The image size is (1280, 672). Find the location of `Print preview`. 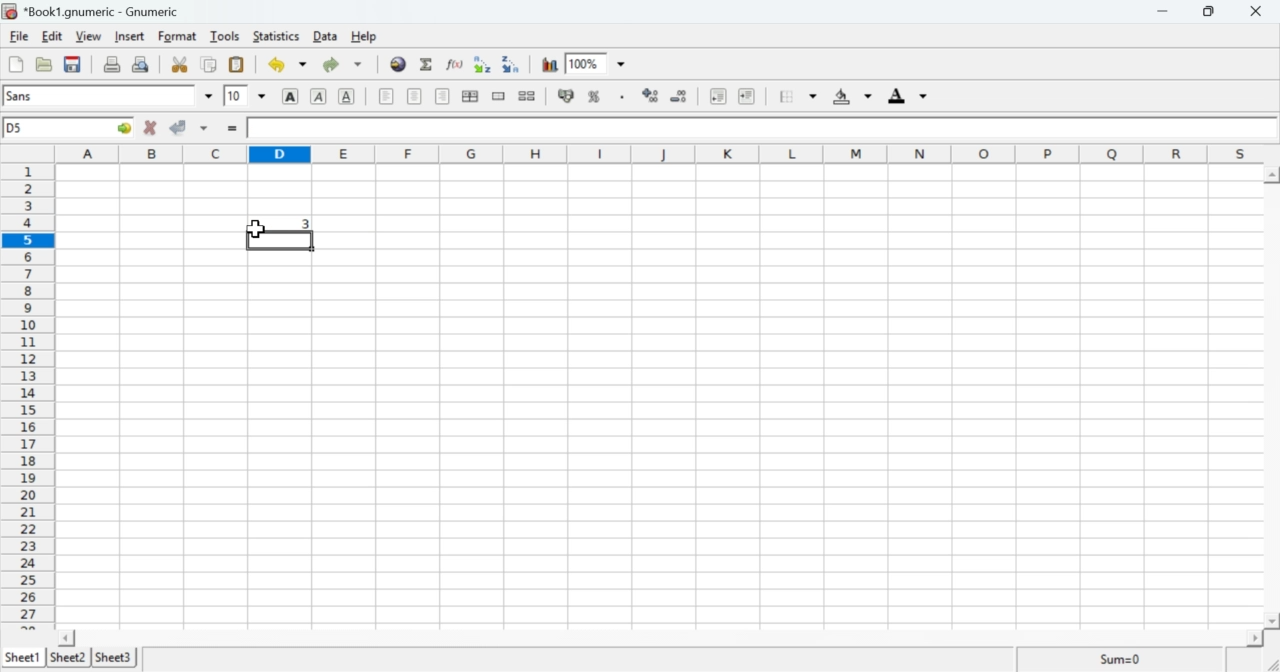

Print preview is located at coordinates (143, 64).